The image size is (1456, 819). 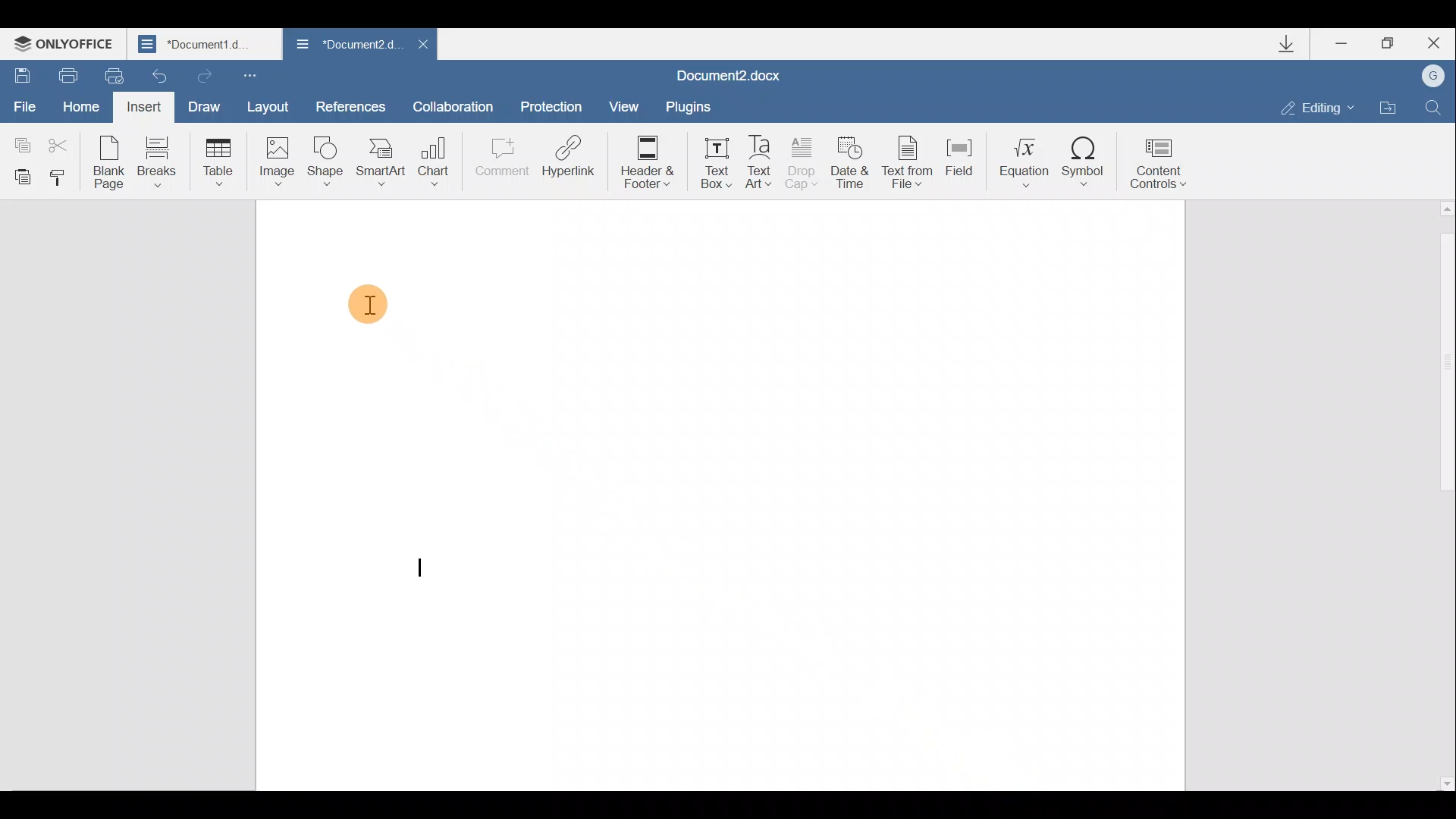 What do you see at coordinates (1443, 494) in the screenshot?
I see `Scroll bar` at bounding box center [1443, 494].